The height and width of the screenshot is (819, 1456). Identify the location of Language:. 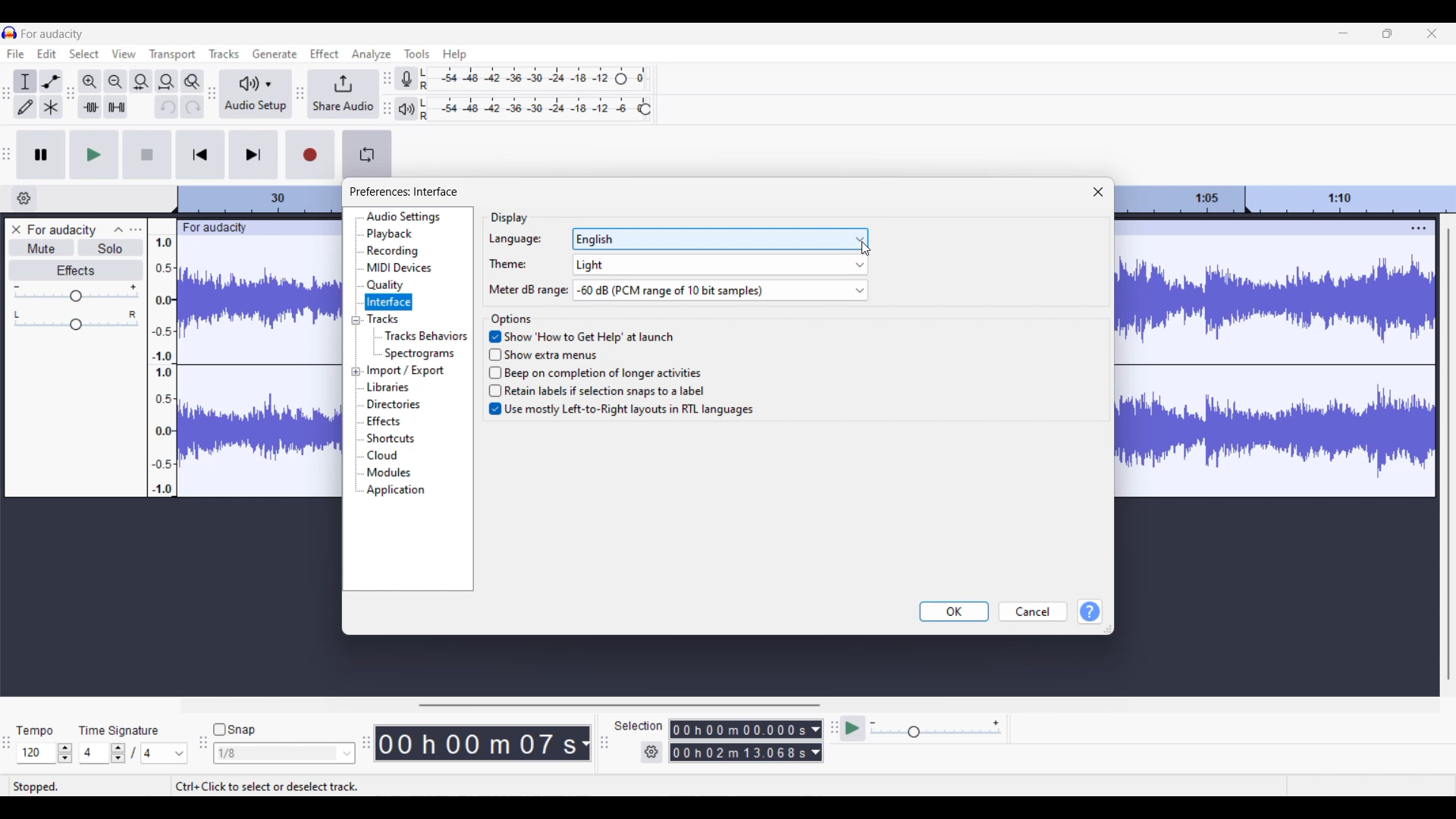
(515, 240).